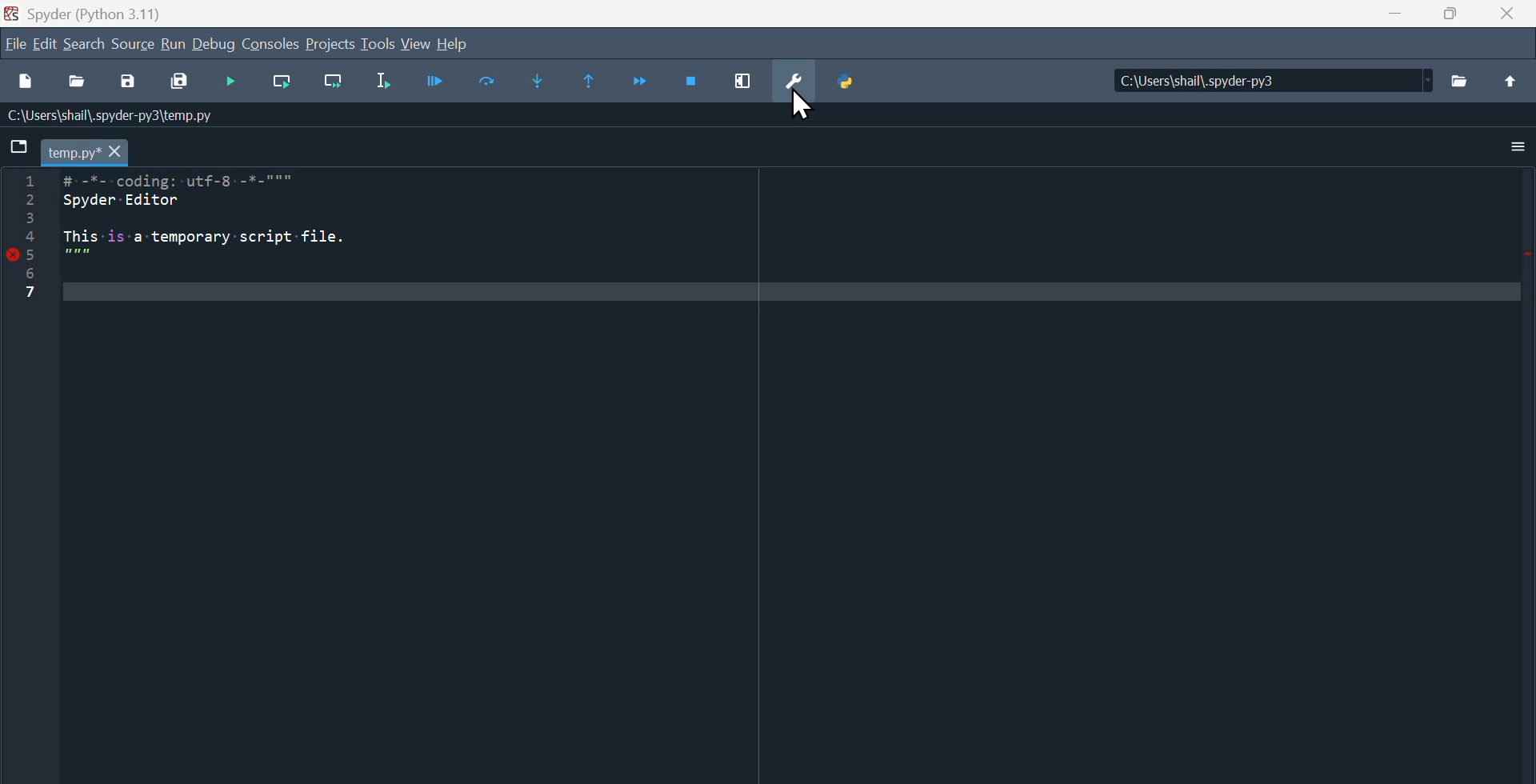  What do you see at coordinates (124, 85) in the screenshot?
I see `Save as` at bounding box center [124, 85].